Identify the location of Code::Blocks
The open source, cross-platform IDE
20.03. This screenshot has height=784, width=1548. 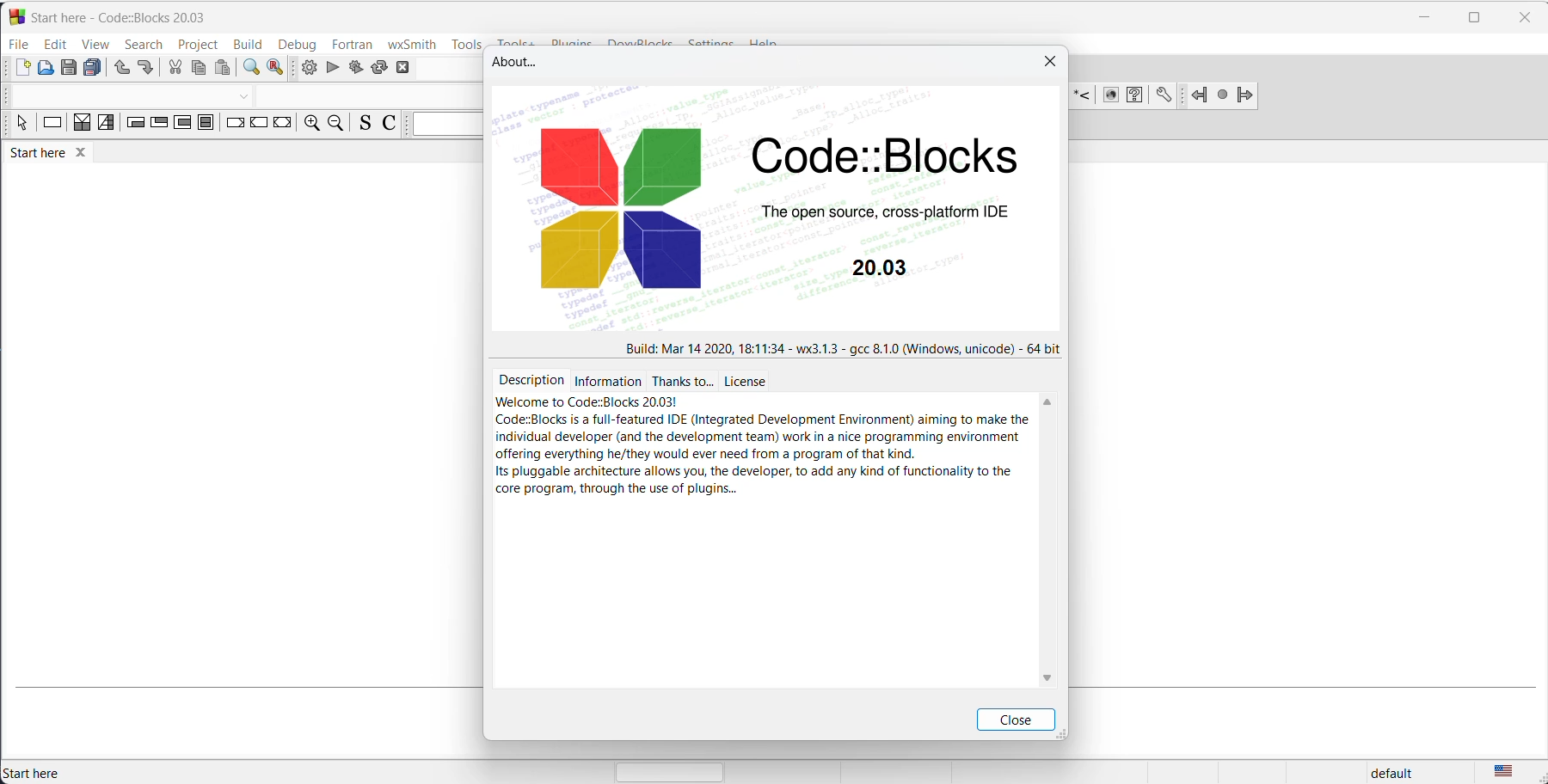
(783, 210).